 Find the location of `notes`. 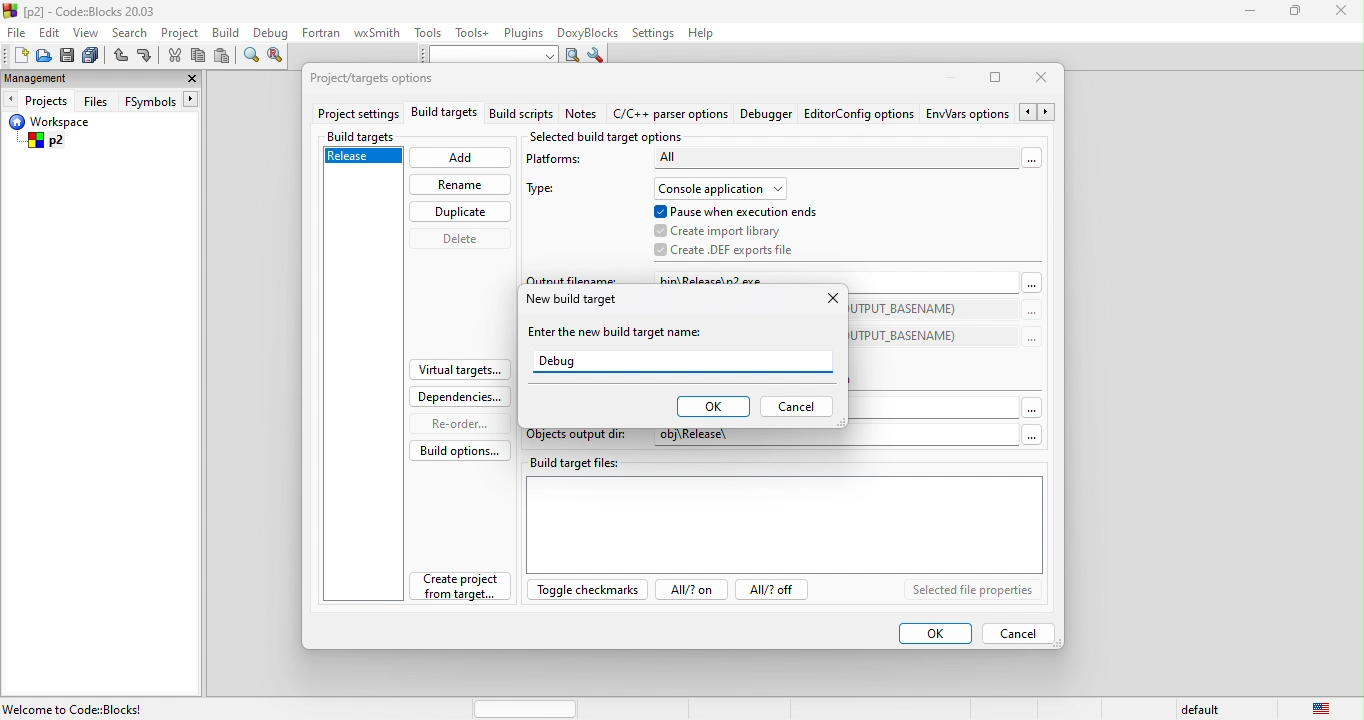

notes is located at coordinates (582, 113).